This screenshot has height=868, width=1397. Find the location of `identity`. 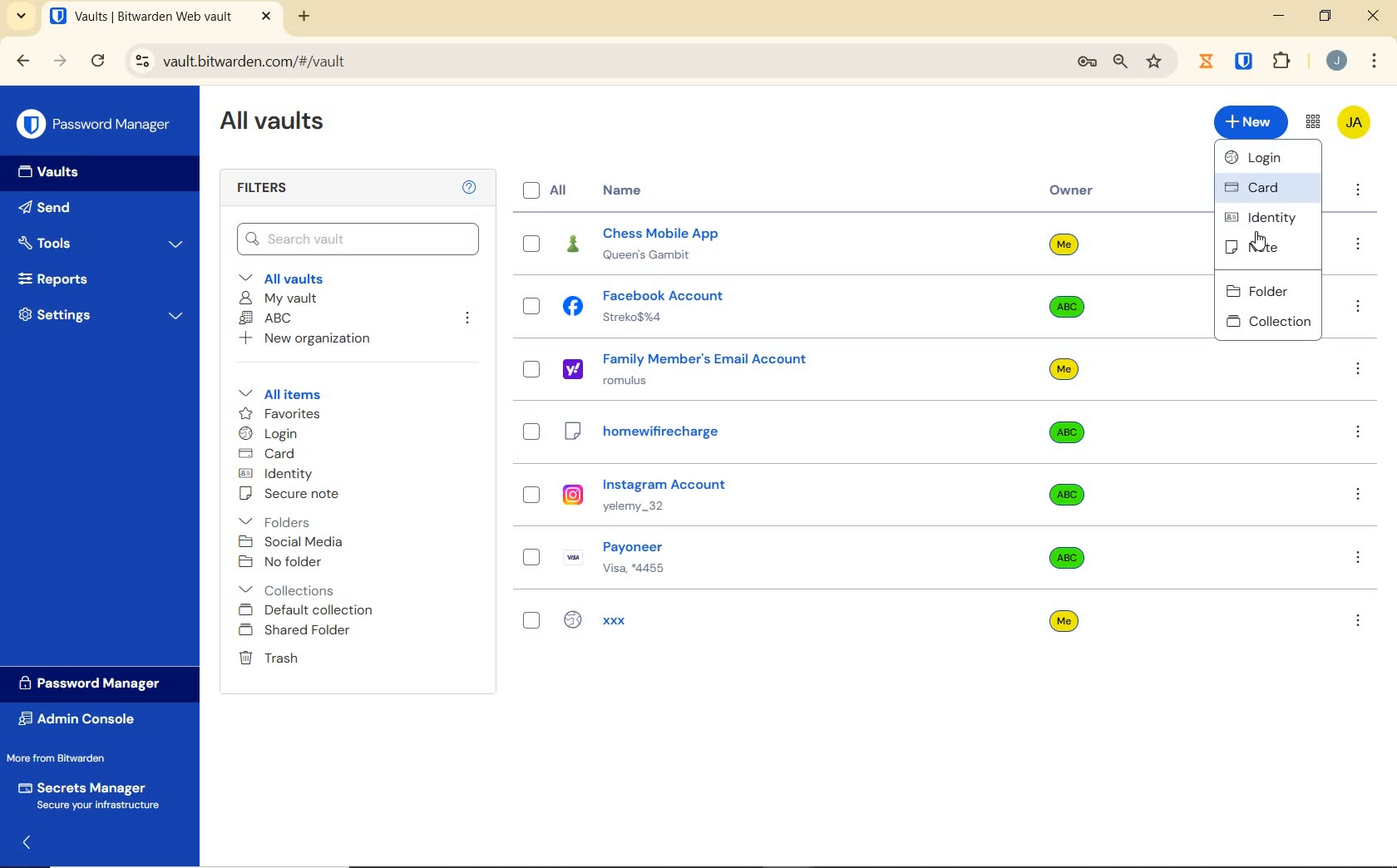

identity is located at coordinates (279, 474).